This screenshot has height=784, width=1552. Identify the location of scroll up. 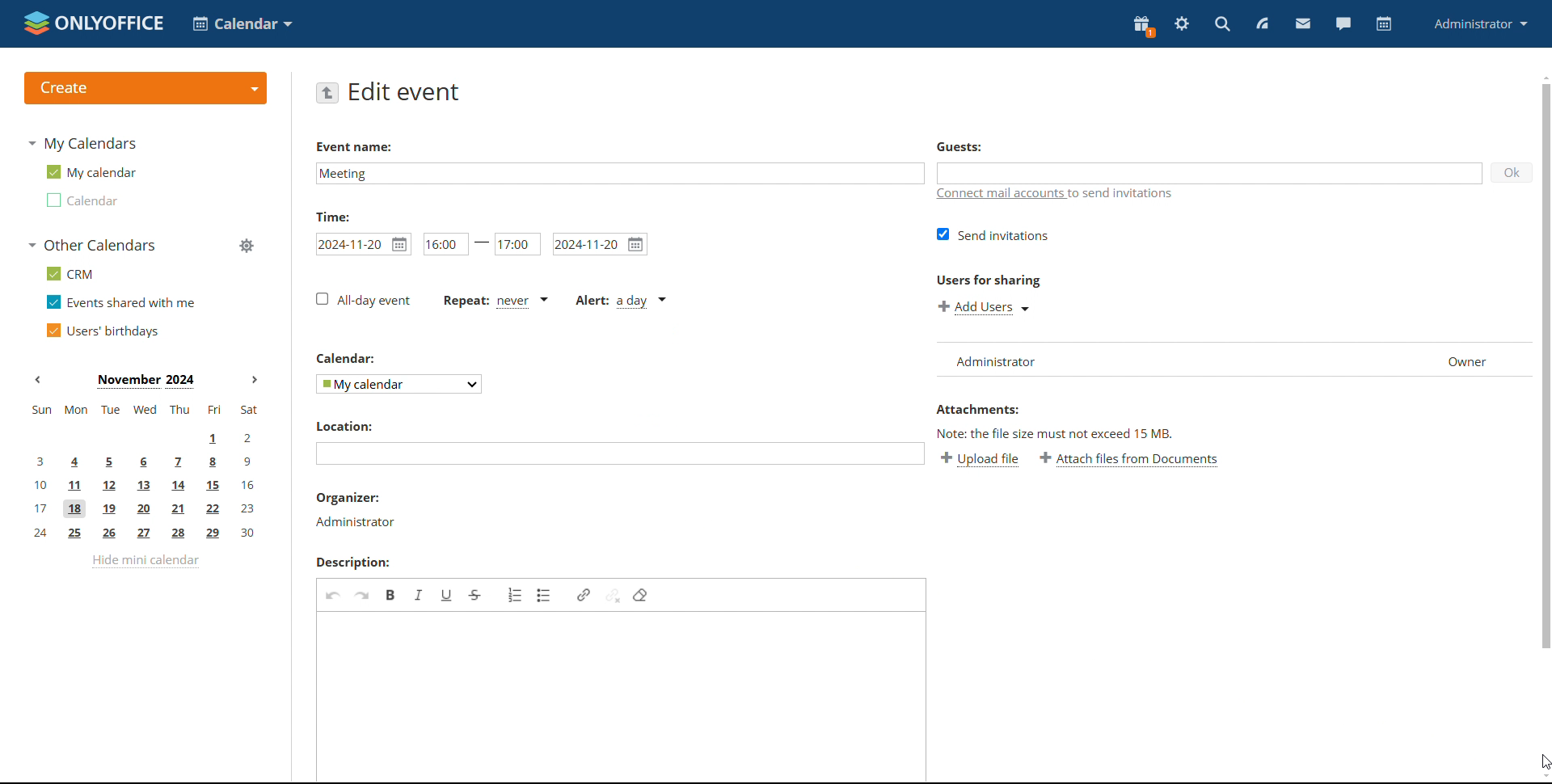
(1542, 75).